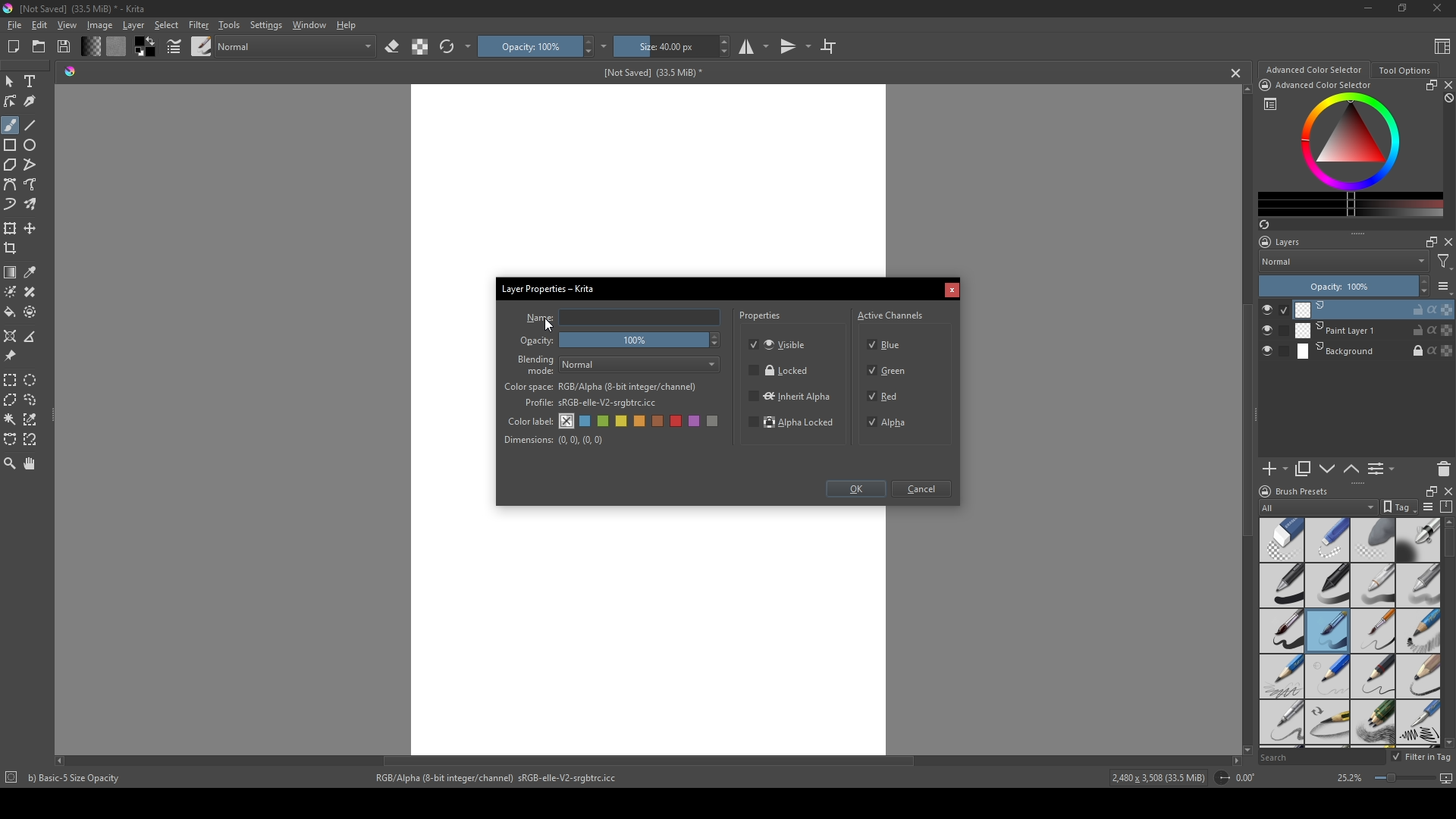 This screenshot has width=1456, height=819. I want to click on multibrush, so click(32, 205).